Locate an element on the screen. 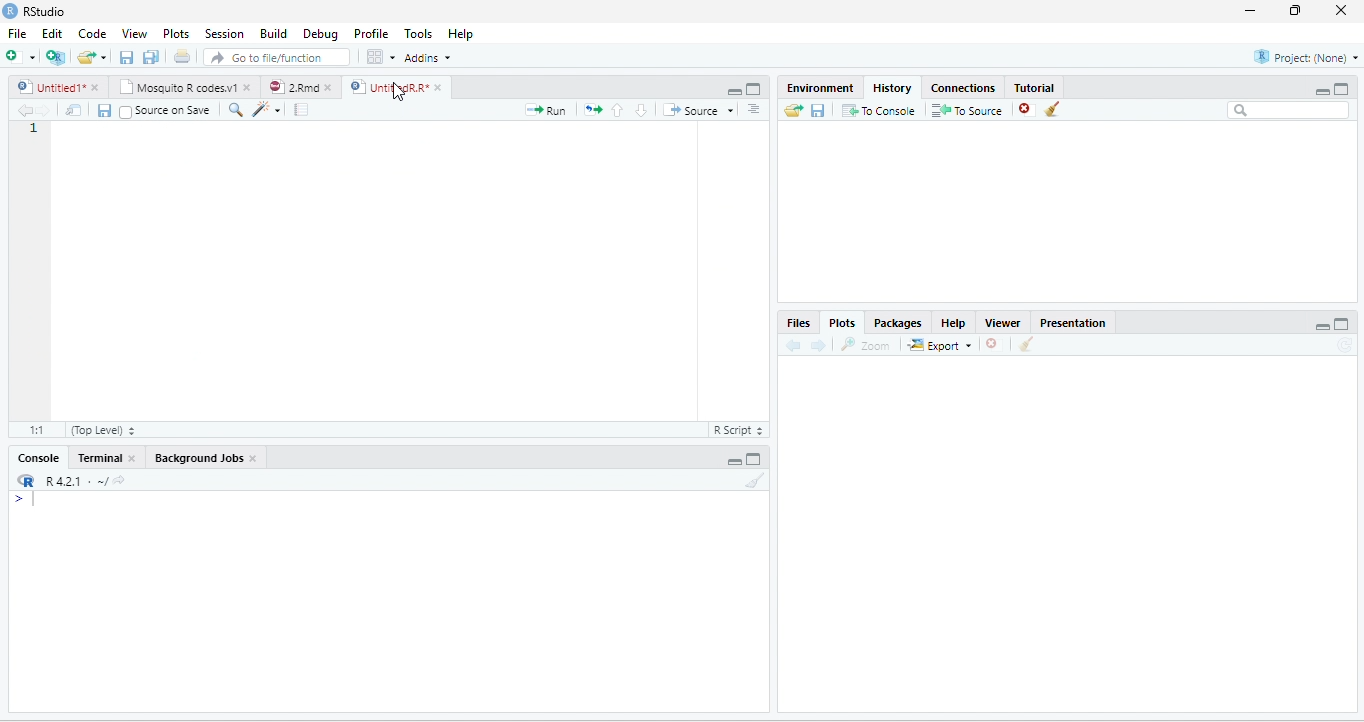  Search bar is located at coordinates (1288, 111).